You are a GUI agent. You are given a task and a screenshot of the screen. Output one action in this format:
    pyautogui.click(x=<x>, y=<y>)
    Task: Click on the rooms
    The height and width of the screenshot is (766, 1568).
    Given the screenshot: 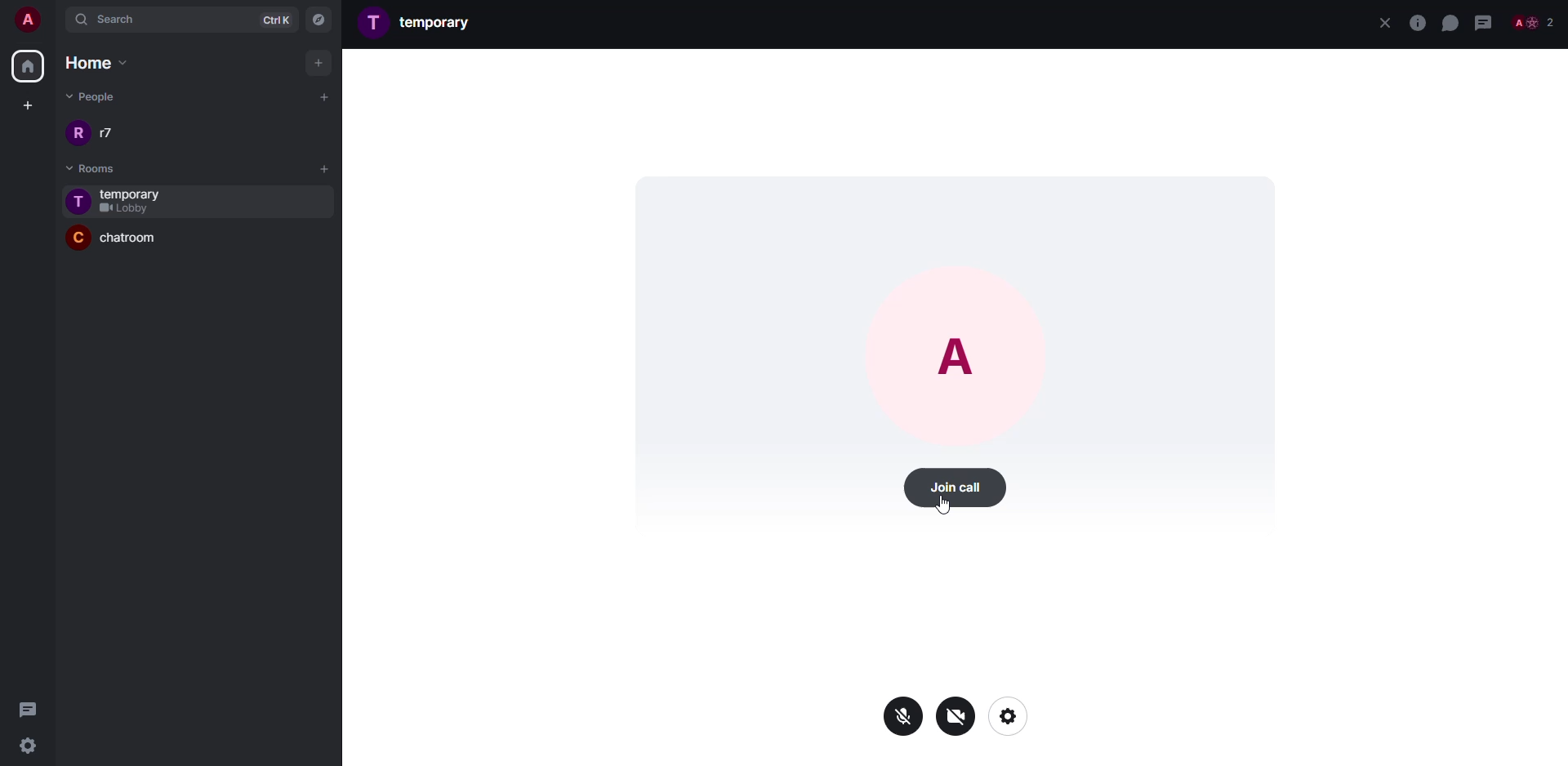 What is the action you would take?
    pyautogui.click(x=82, y=168)
    